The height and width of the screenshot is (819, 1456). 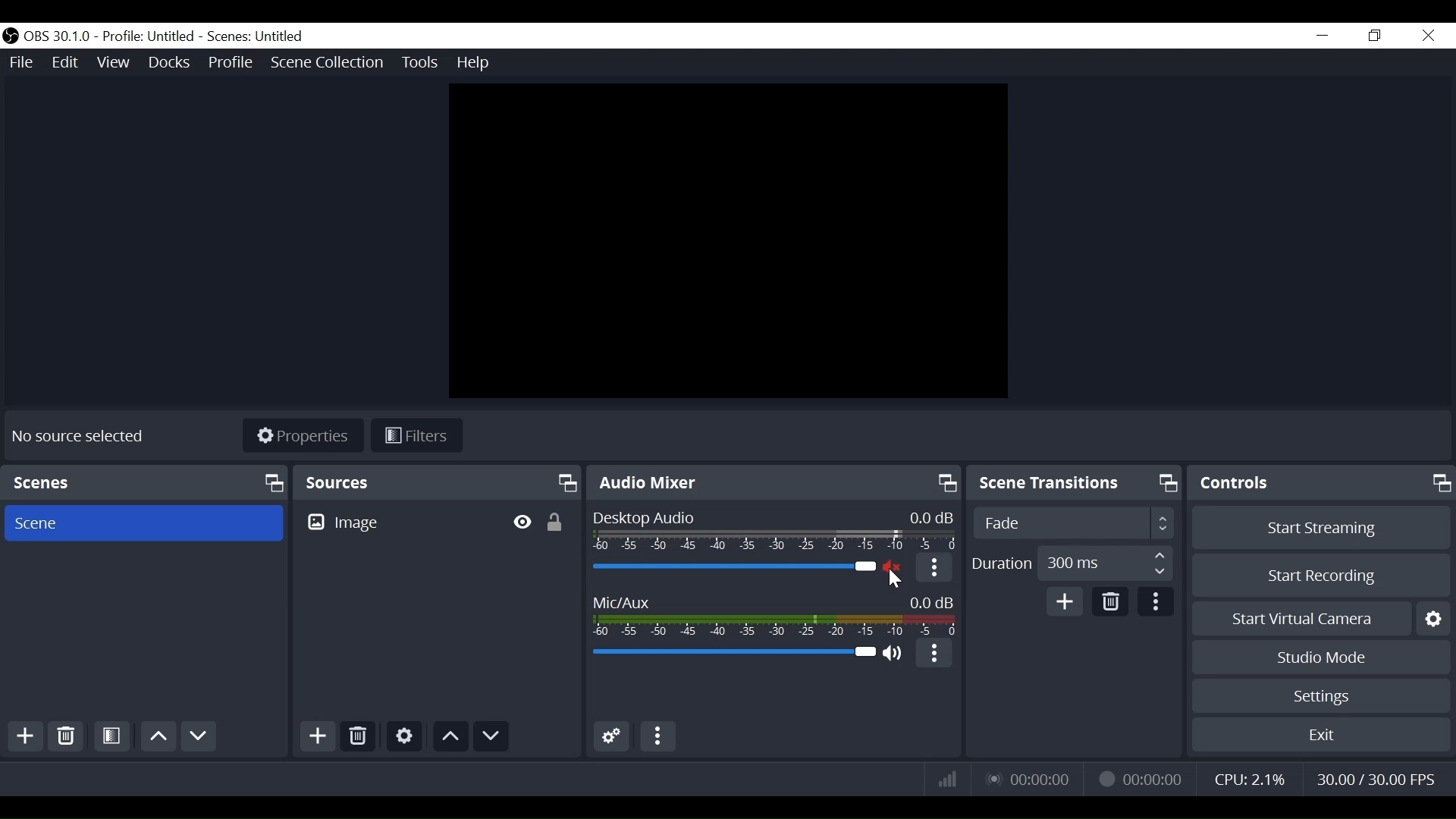 What do you see at coordinates (111, 736) in the screenshot?
I see `Open Scene Filter` at bounding box center [111, 736].